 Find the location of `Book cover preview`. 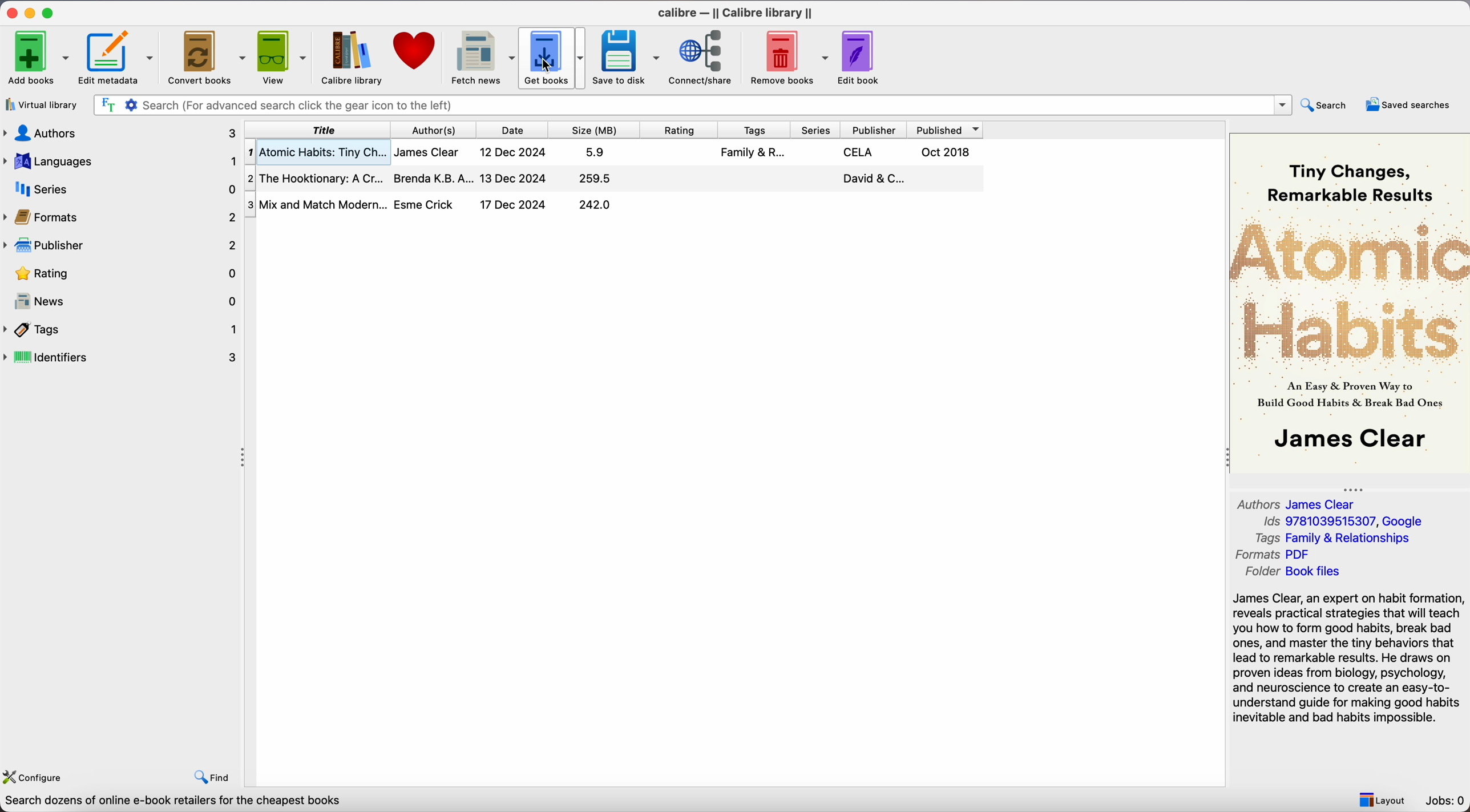

Book cover preview is located at coordinates (1350, 302).